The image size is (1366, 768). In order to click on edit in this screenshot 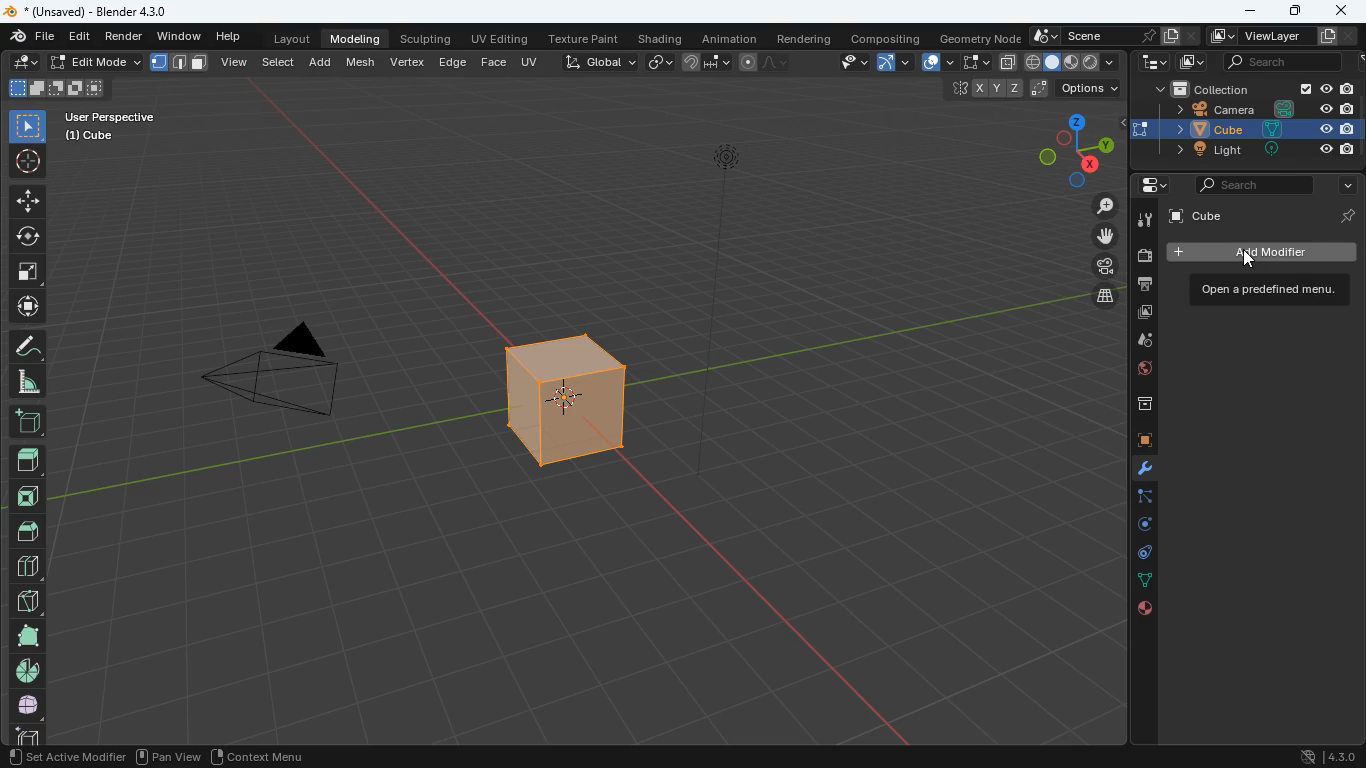, I will do `click(73, 63)`.